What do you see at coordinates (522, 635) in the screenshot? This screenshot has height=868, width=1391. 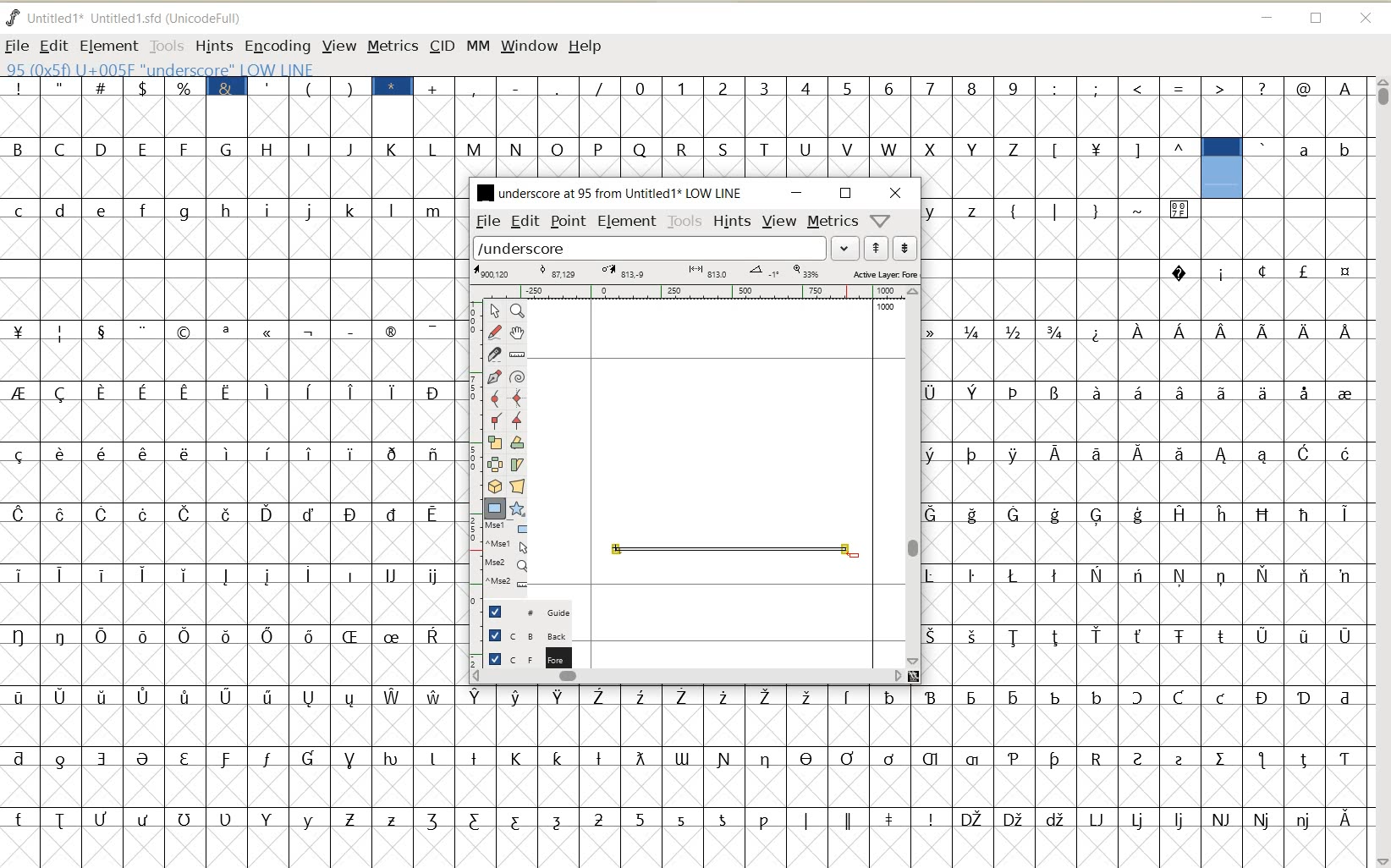 I see `BACKGROUND` at bounding box center [522, 635].